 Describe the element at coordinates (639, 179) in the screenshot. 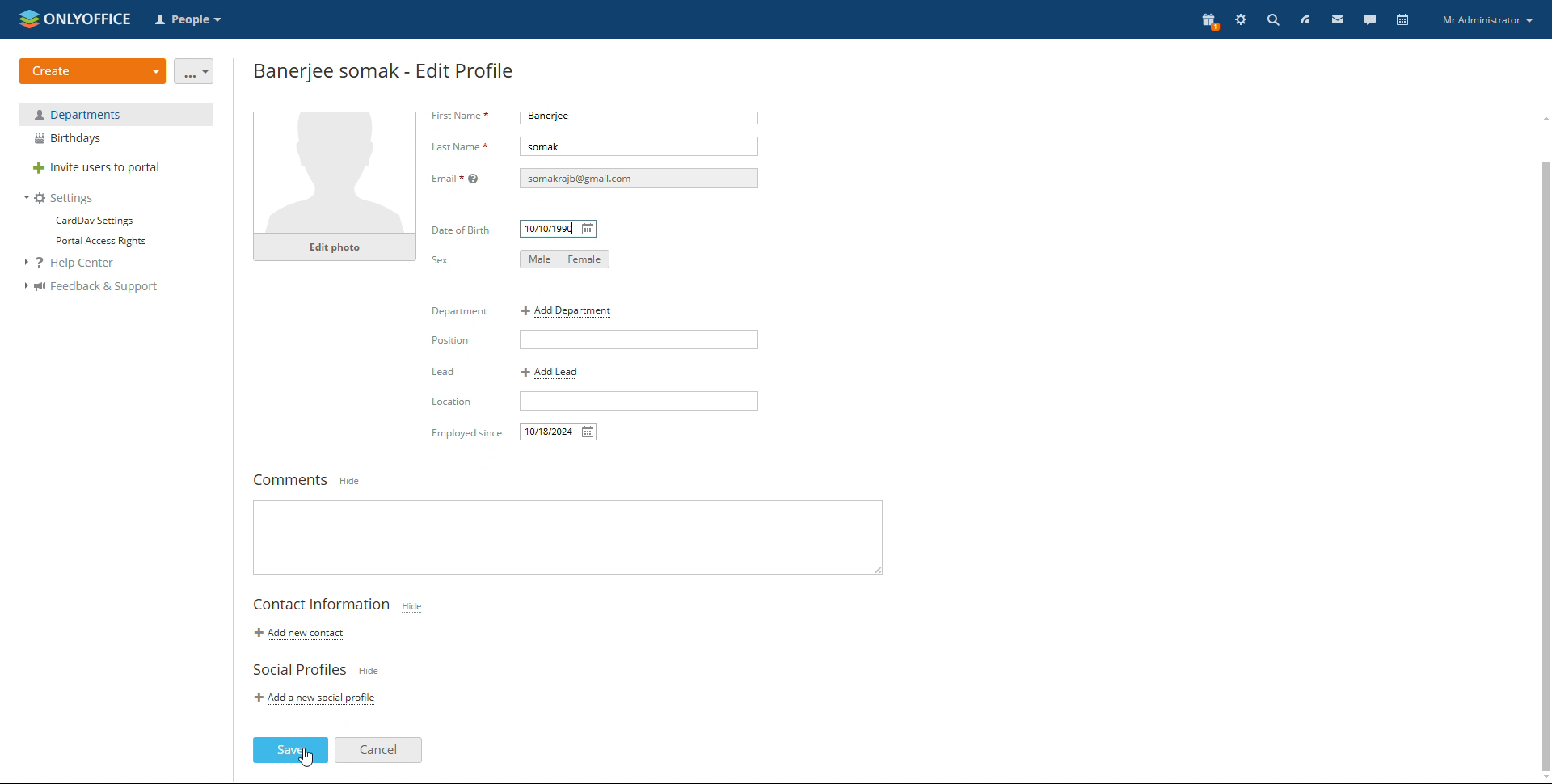

I see `email` at that location.